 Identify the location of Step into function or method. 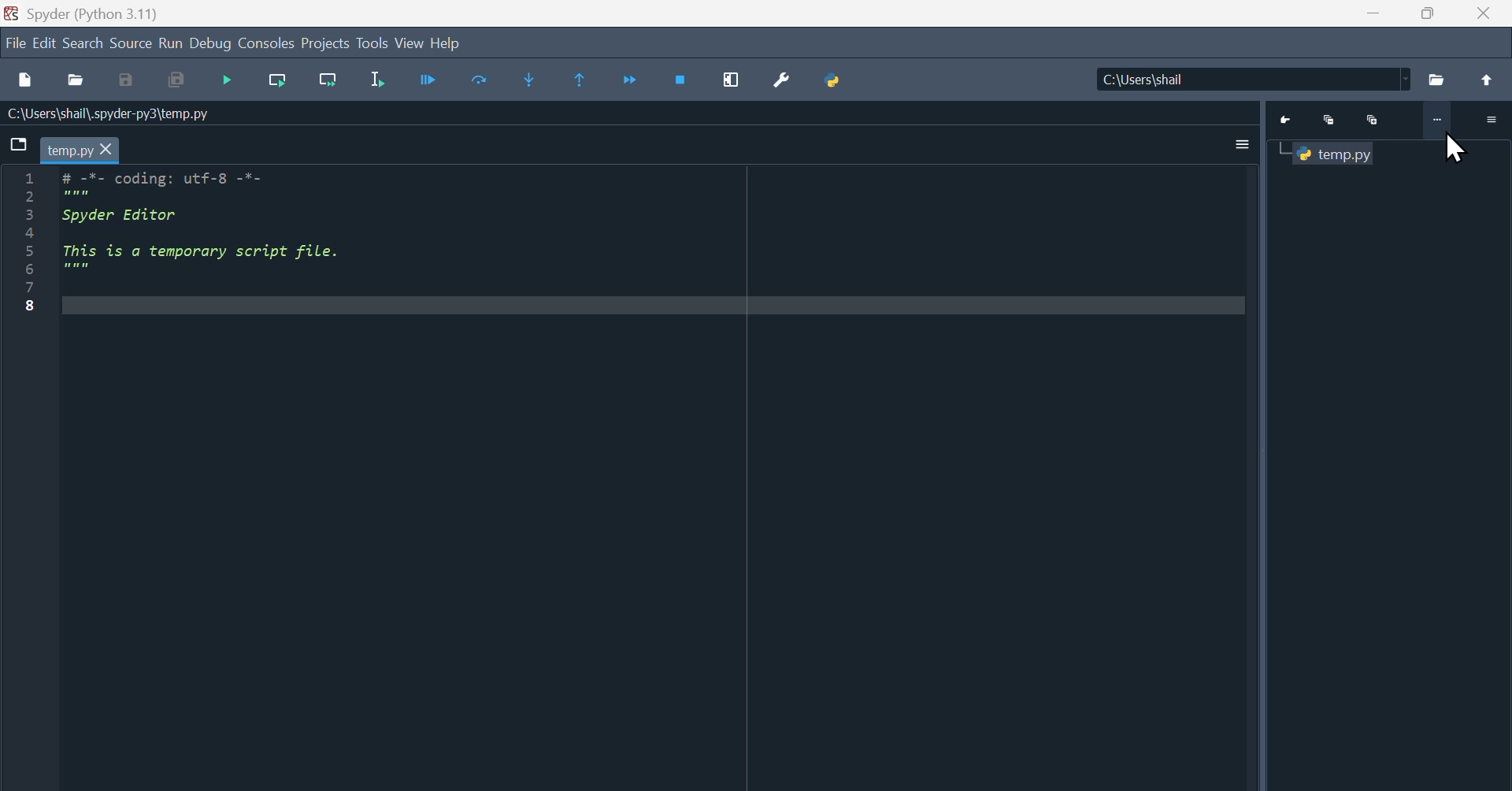
(529, 81).